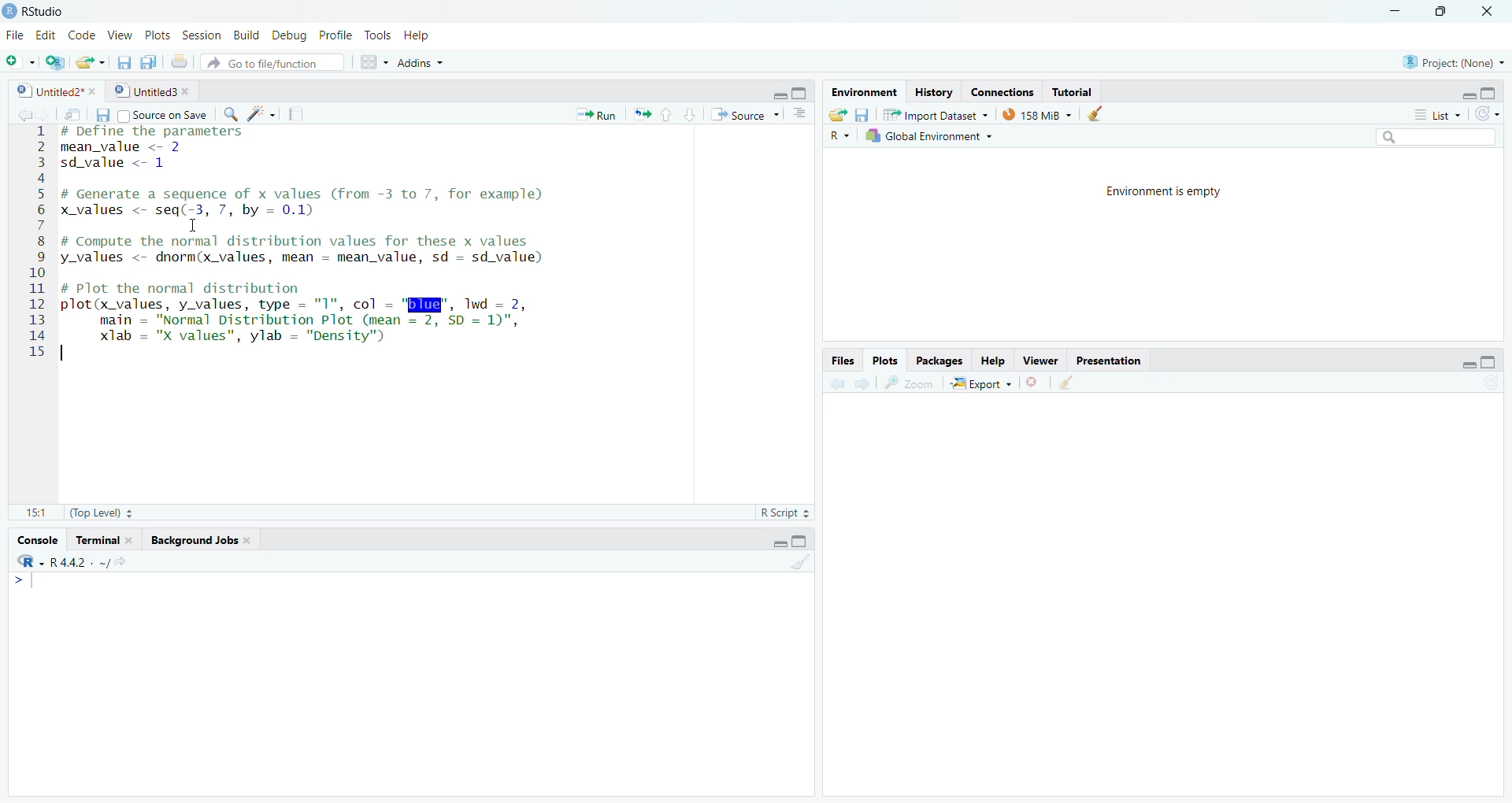 Image resolution: width=1512 pixels, height=803 pixels. Describe the element at coordinates (1074, 91) in the screenshot. I see `Tutorial` at that location.